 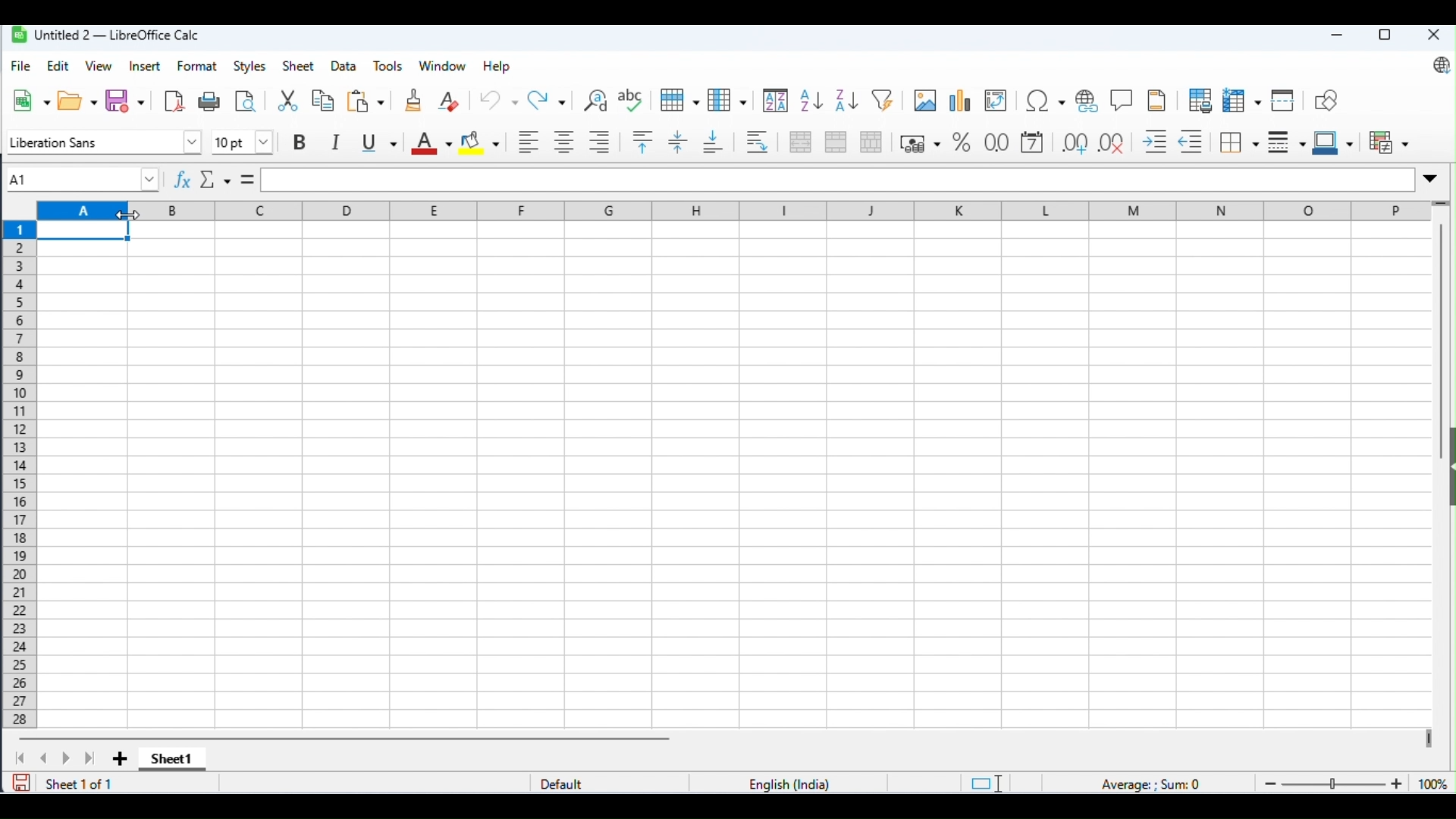 I want to click on copy, so click(x=323, y=101).